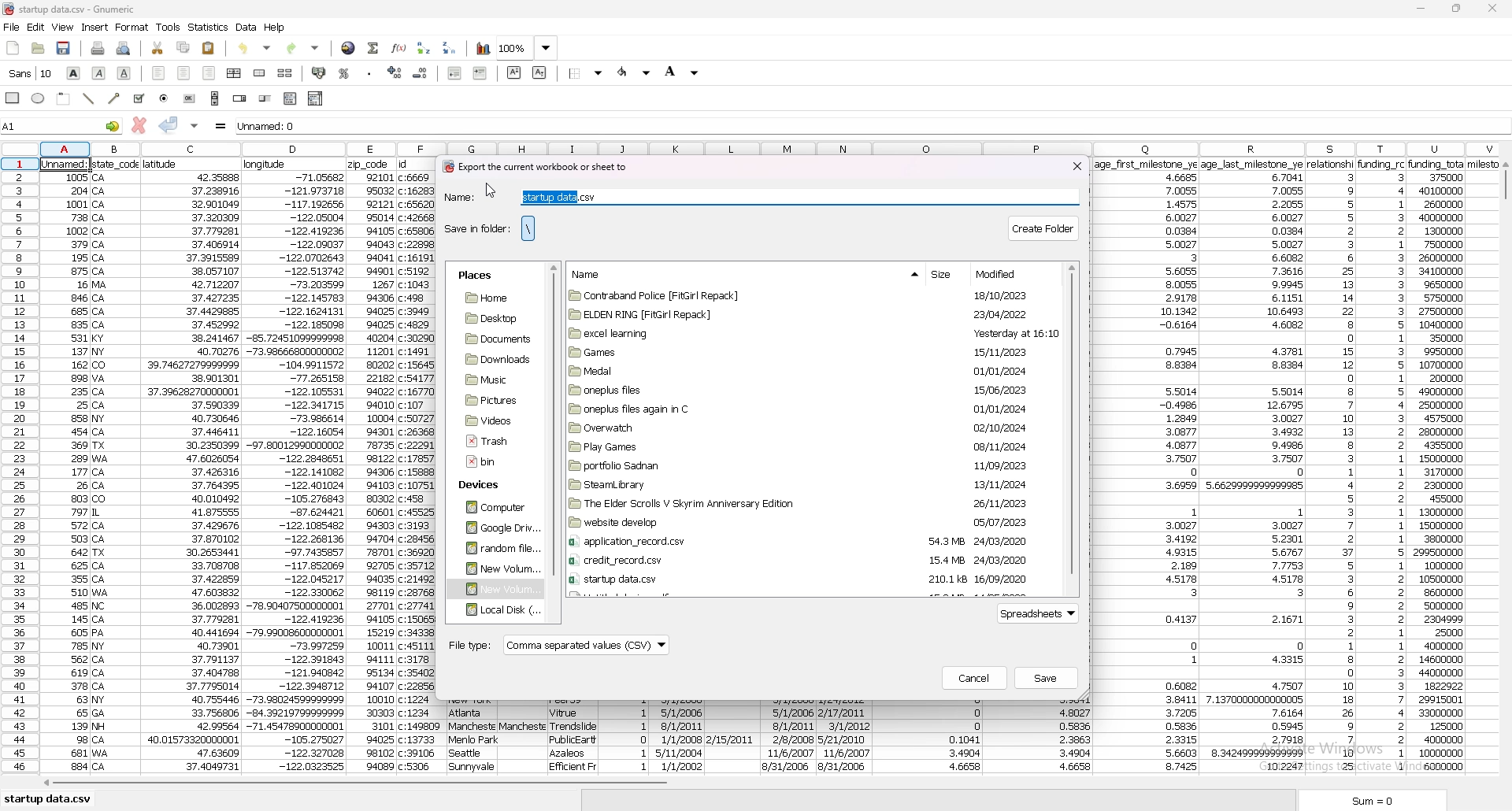 The image size is (1512, 811). Describe the element at coordinates (63, 27) in the screenshot. I see `view` at that location.